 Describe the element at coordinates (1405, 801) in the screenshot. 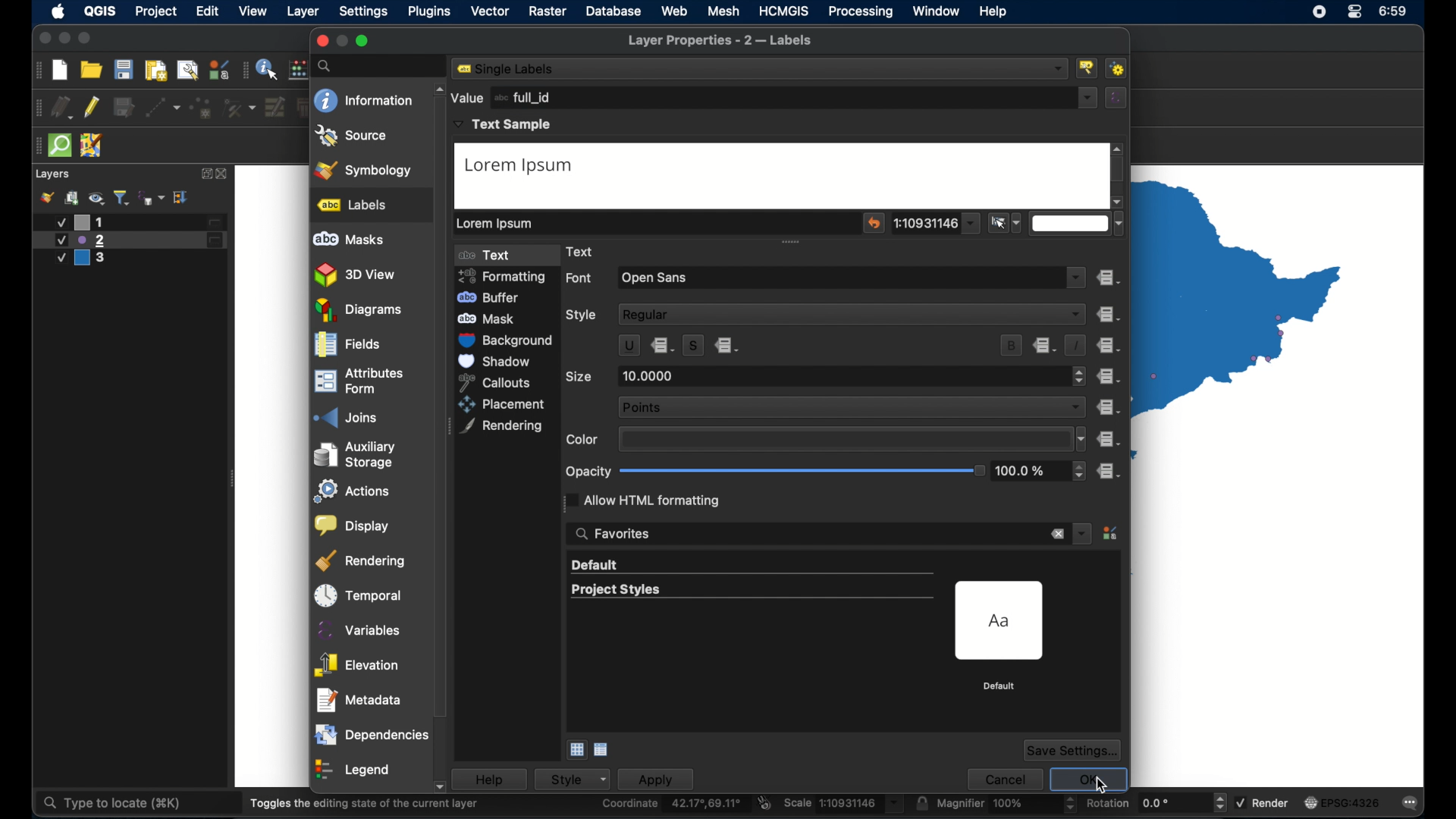

I see `message` at that location.